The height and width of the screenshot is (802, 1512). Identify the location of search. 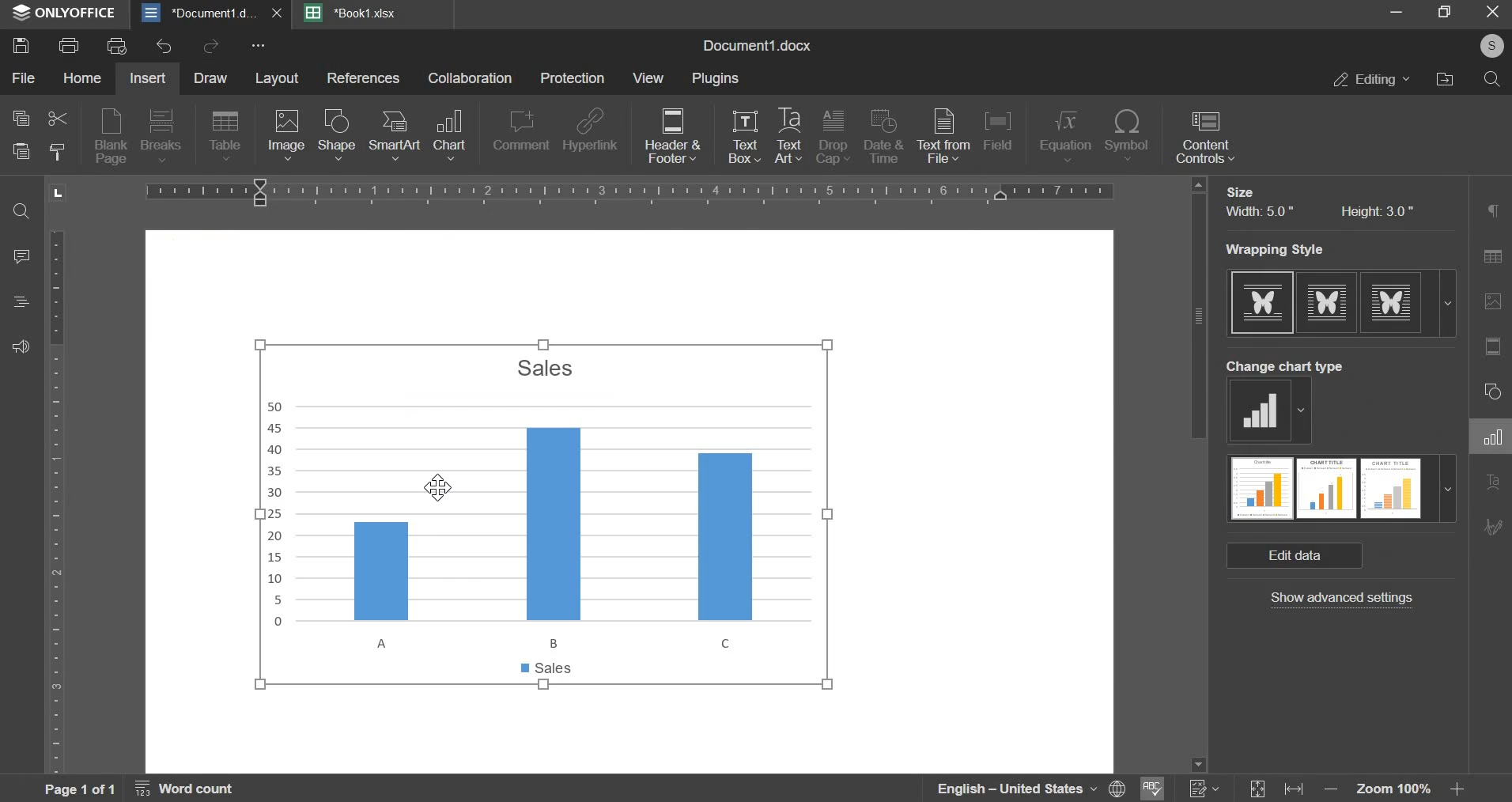
(1491, 81).